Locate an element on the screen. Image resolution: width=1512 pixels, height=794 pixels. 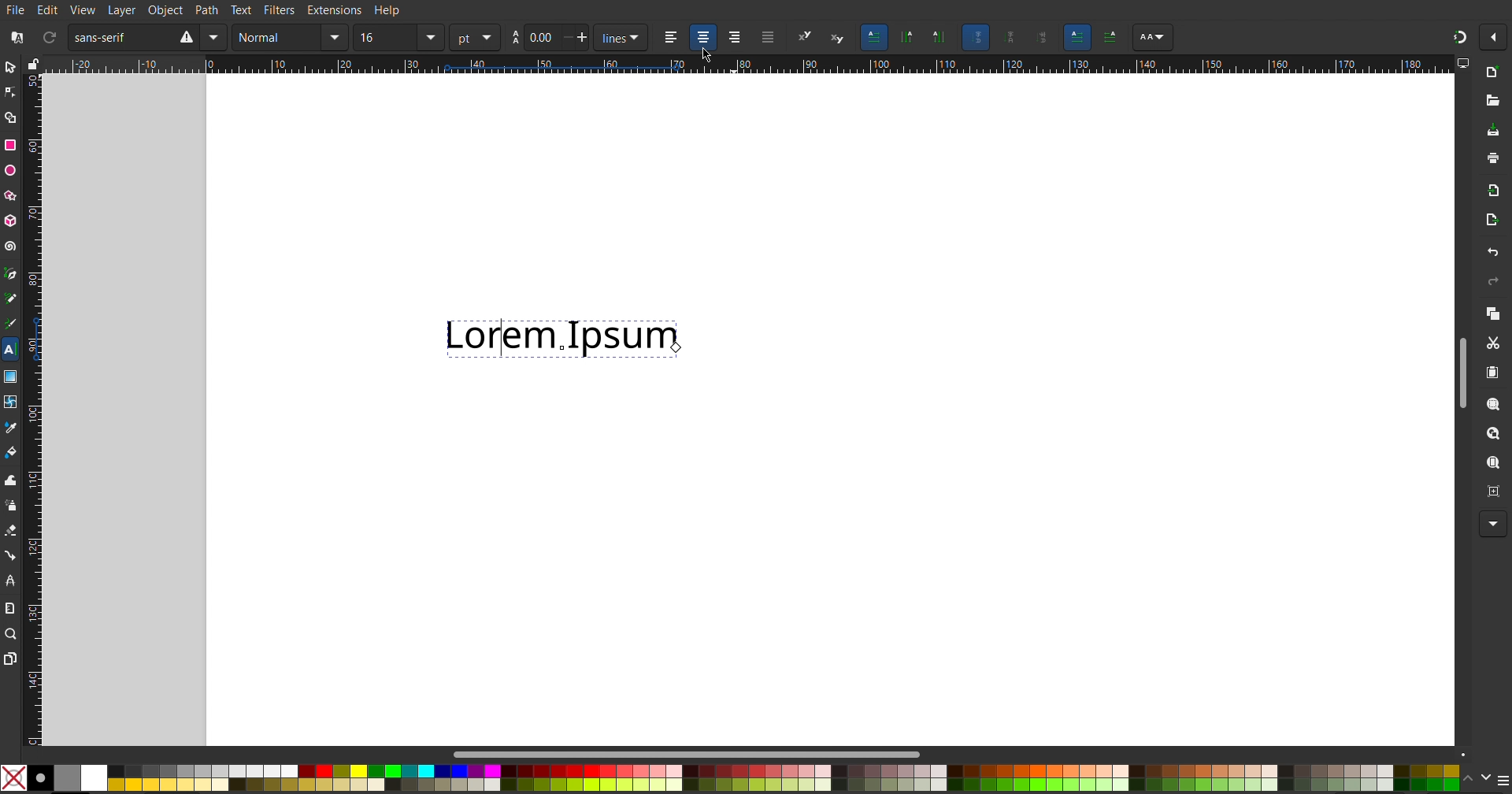
Units is located at coordinates (623, 38).